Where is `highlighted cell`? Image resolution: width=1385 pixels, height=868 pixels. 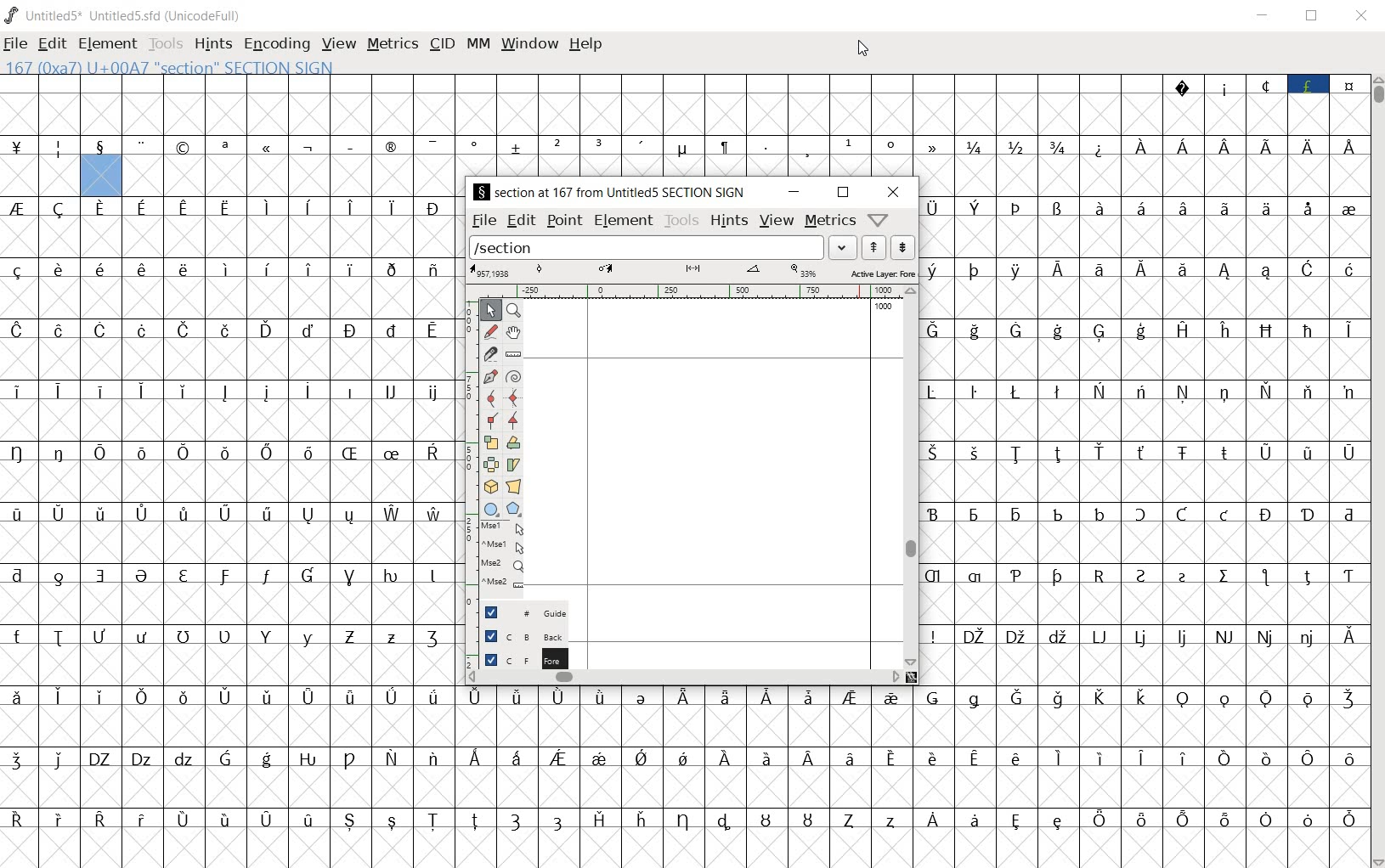 highlighted cell is located at coordinates (100, 177).